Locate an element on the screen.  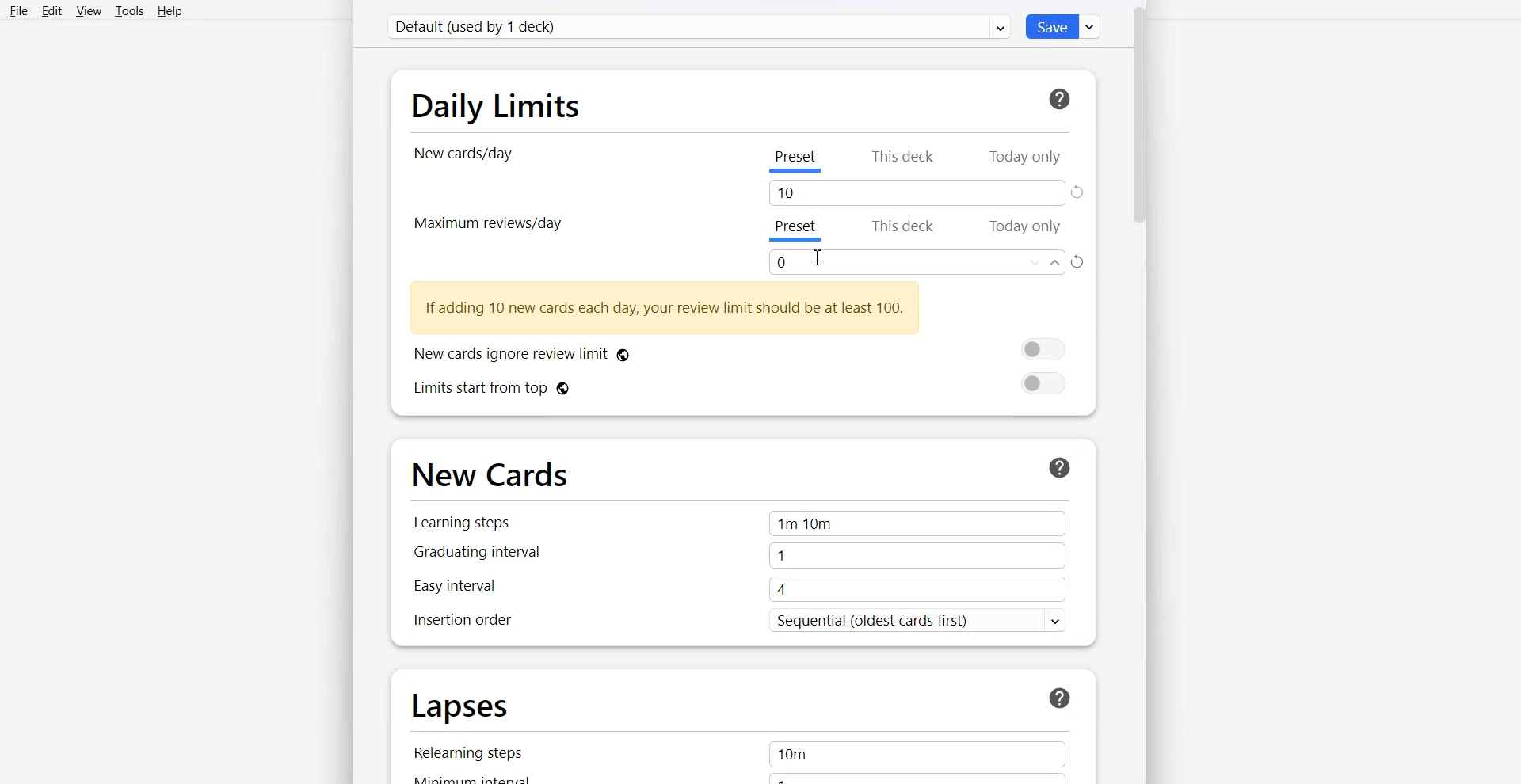
Tools is located at coordinates (129, 11).